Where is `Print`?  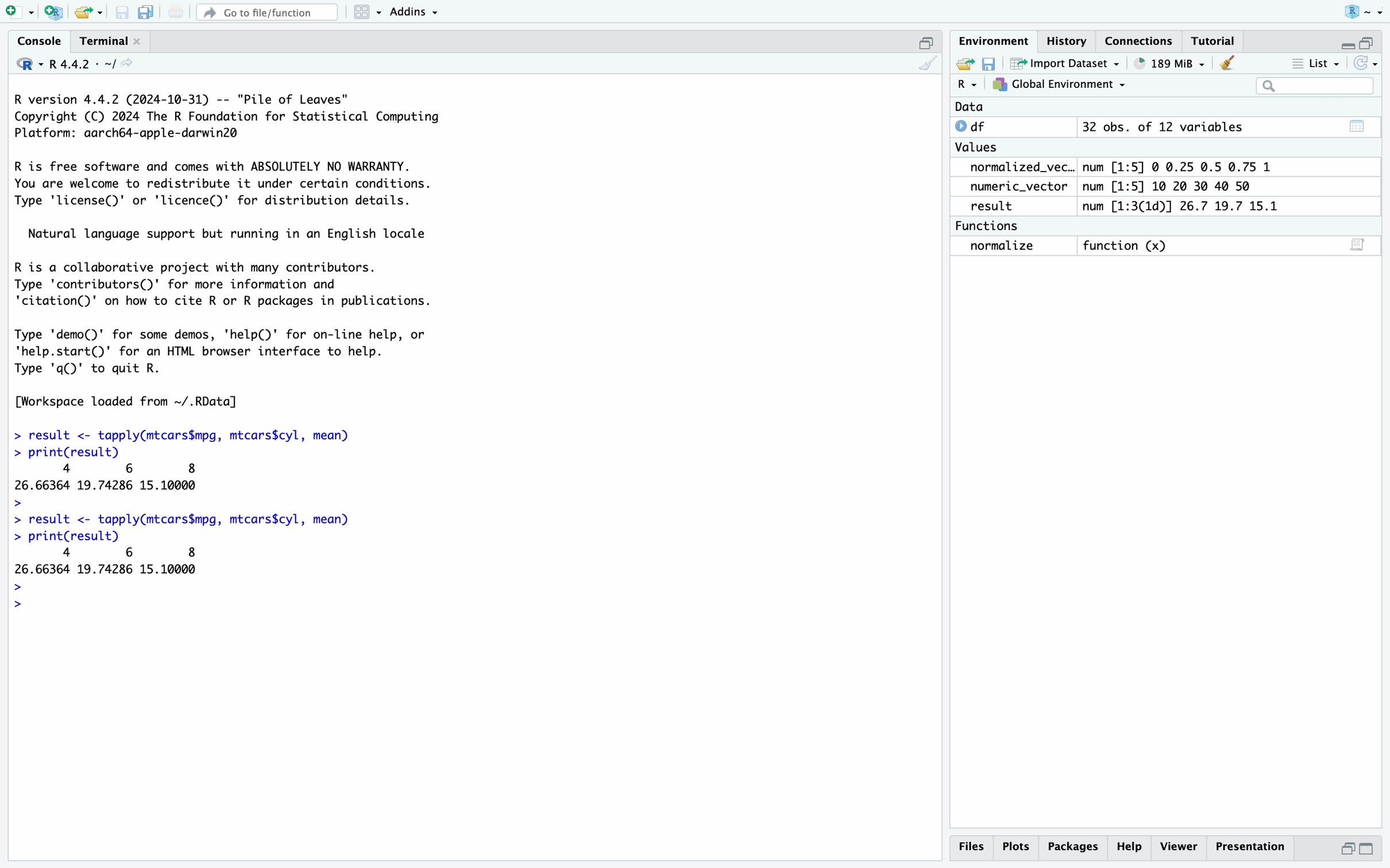 Print is located at coordinates (174, 12).